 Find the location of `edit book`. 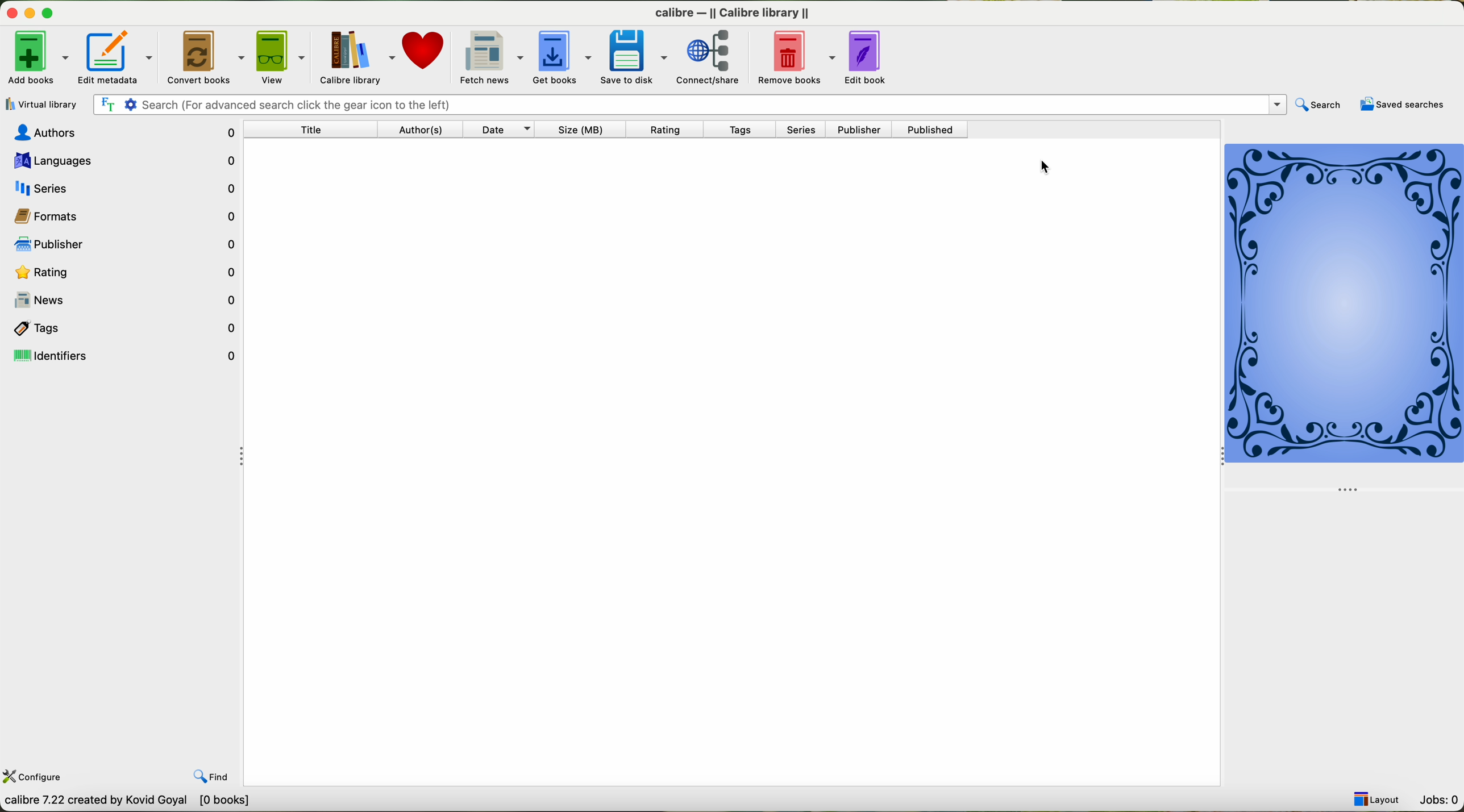

edit book is located at coordinates (868, 56).